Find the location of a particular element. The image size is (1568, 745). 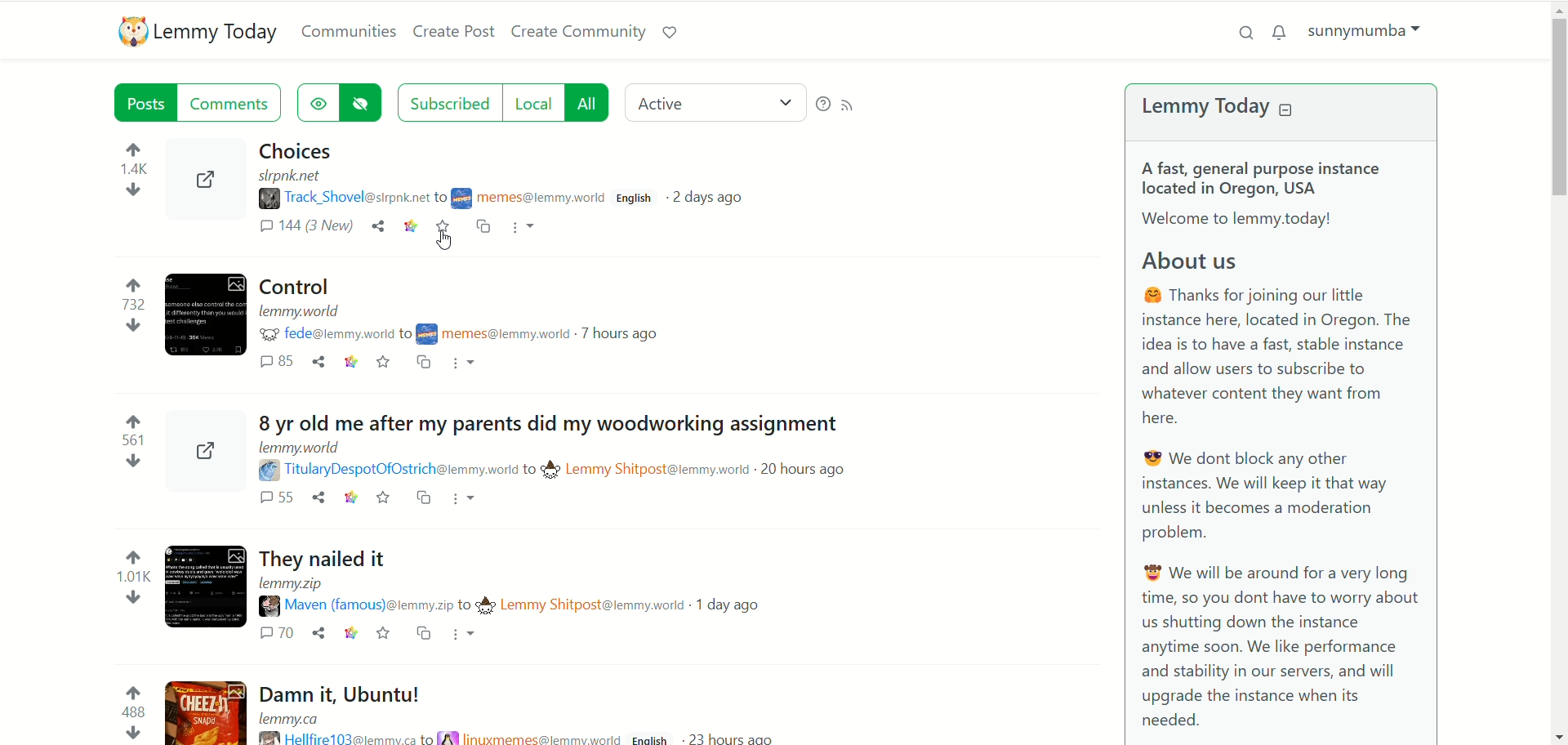

cross post is located at coordinates (483, 228).